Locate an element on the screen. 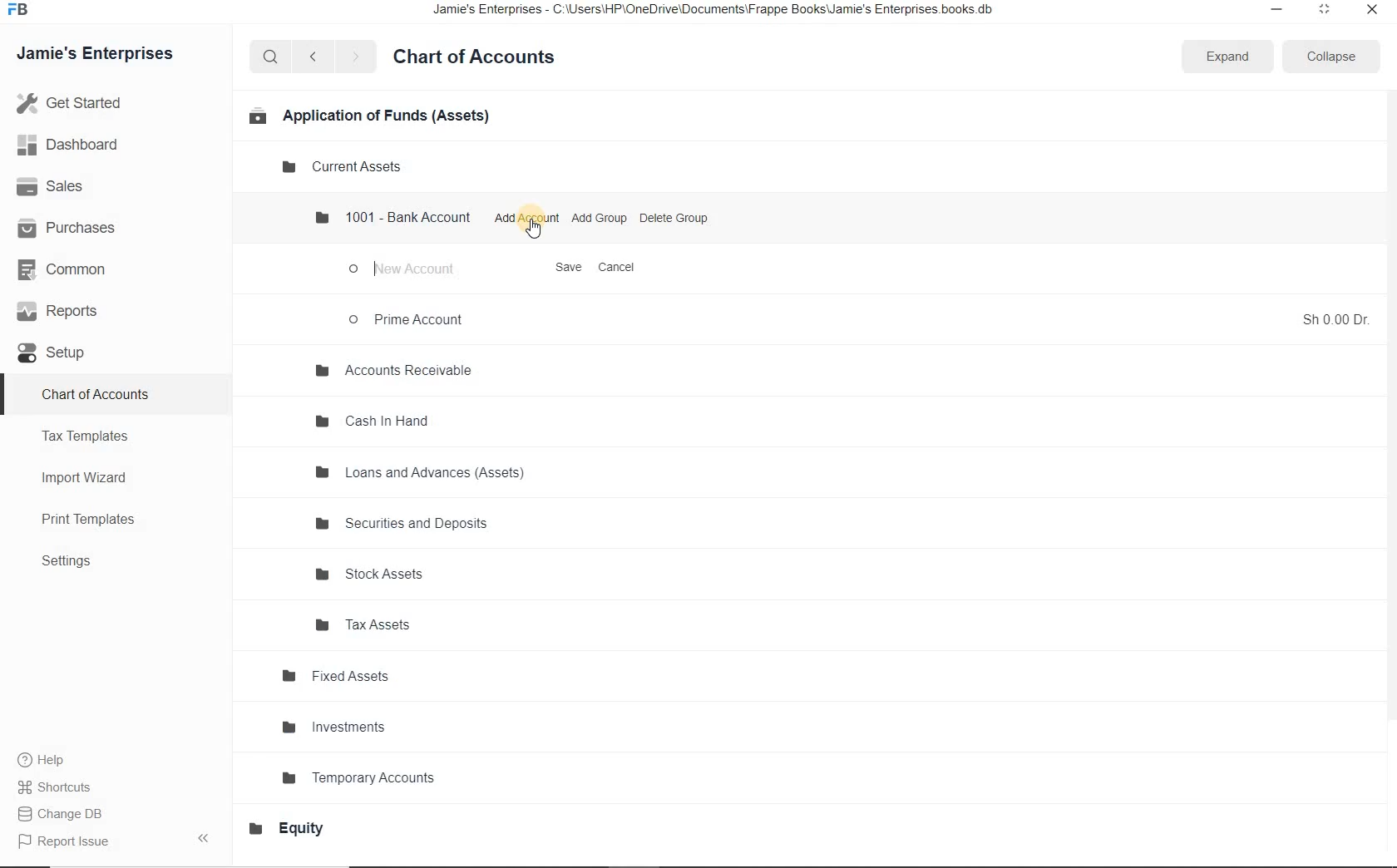 This screenshot has height=868, width=1397. Change DB is located at coordinates (65, 815).